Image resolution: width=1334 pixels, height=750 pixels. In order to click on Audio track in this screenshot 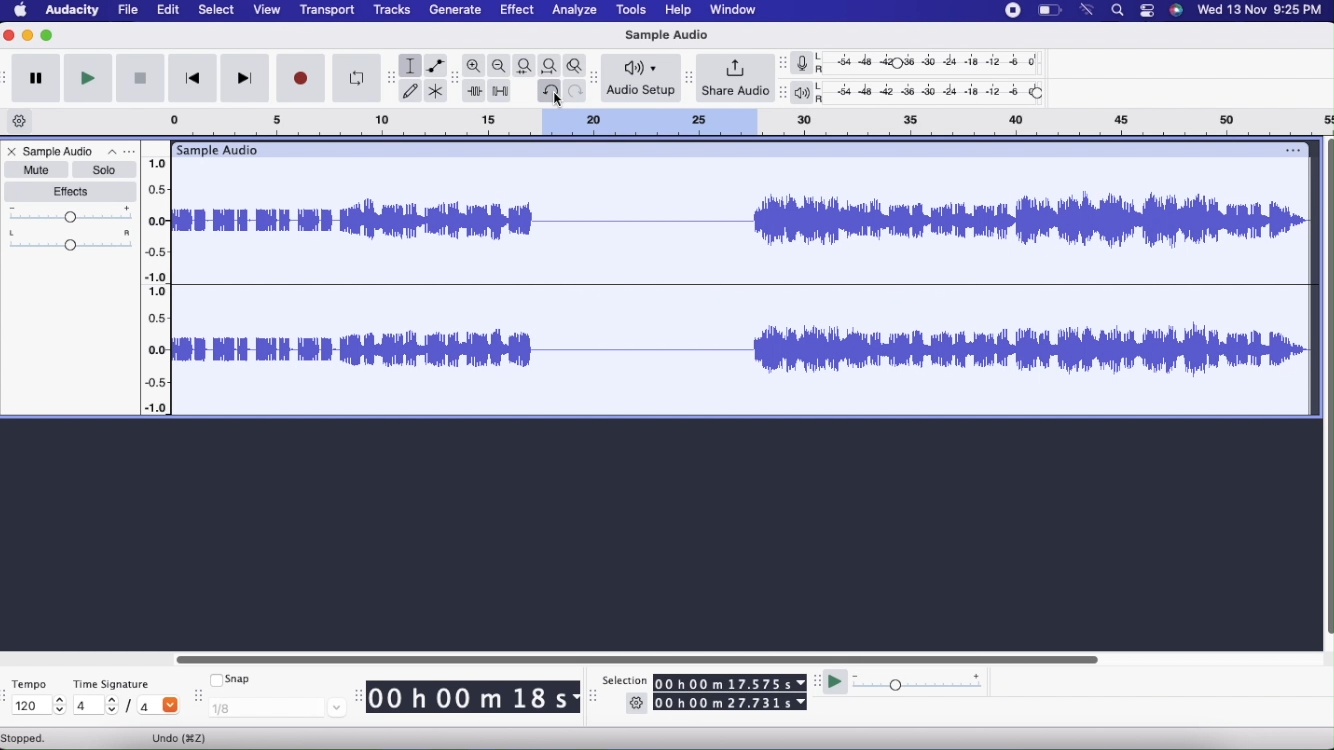, I will do `click(745, 351)`.